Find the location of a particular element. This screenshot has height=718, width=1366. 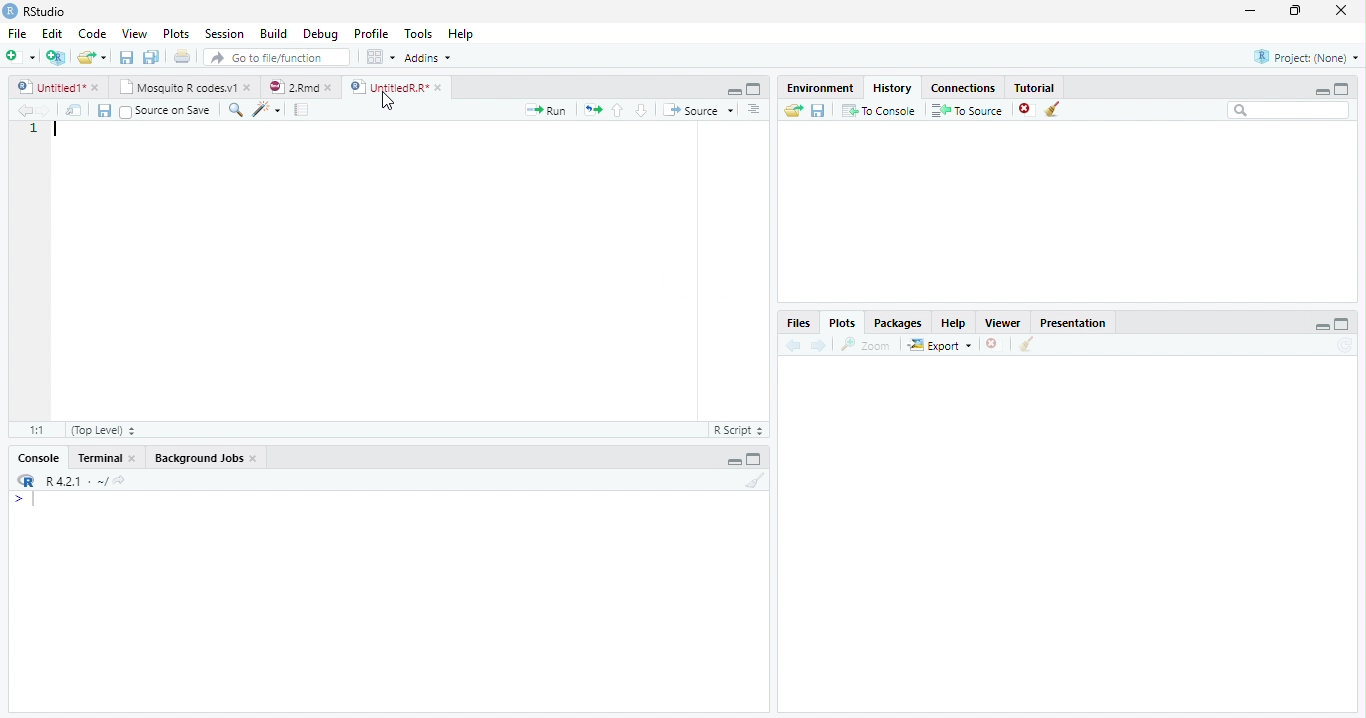

Minimize is located at coordinates (1321, 91).